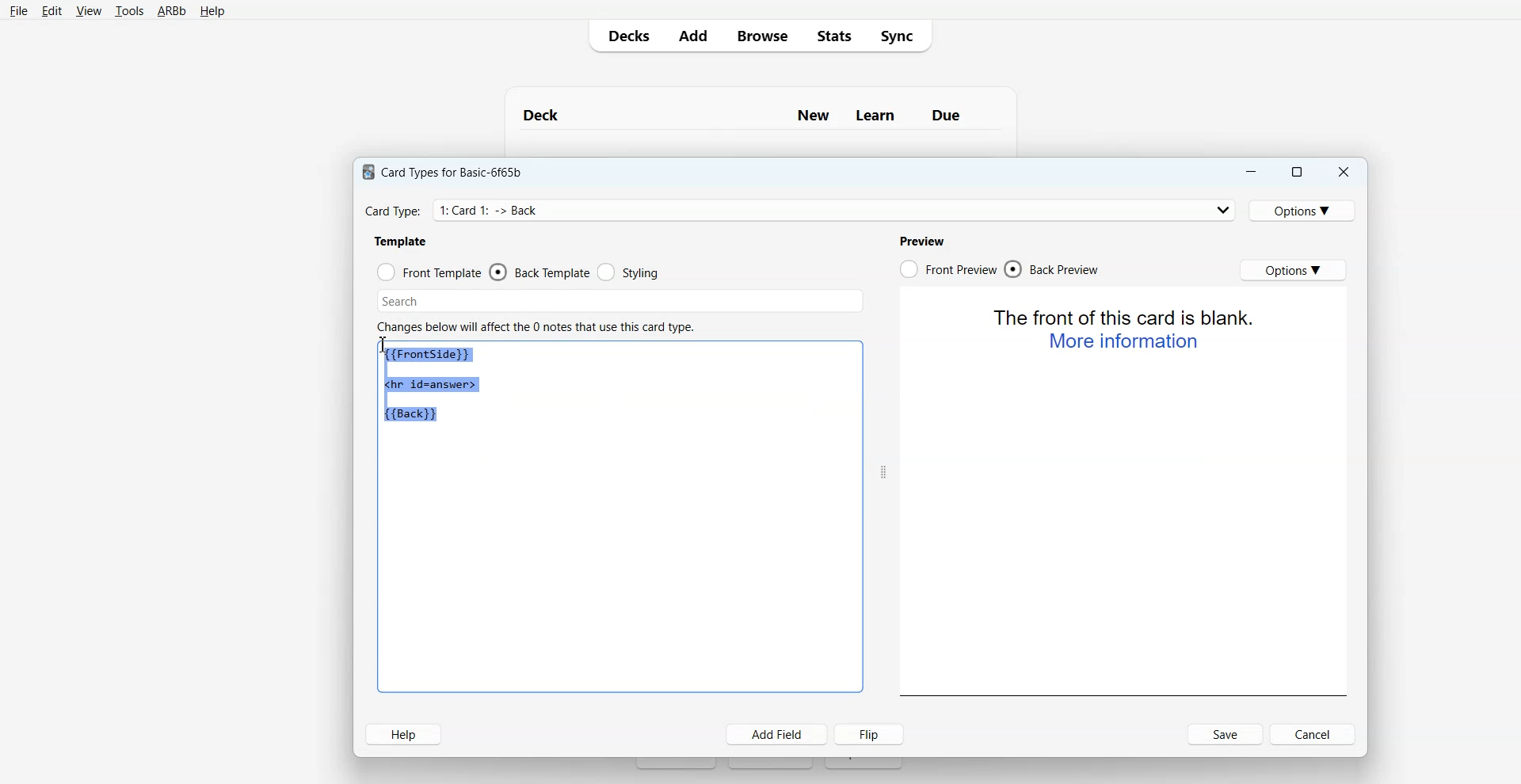  I want to click on Decks, so click(625, 36).